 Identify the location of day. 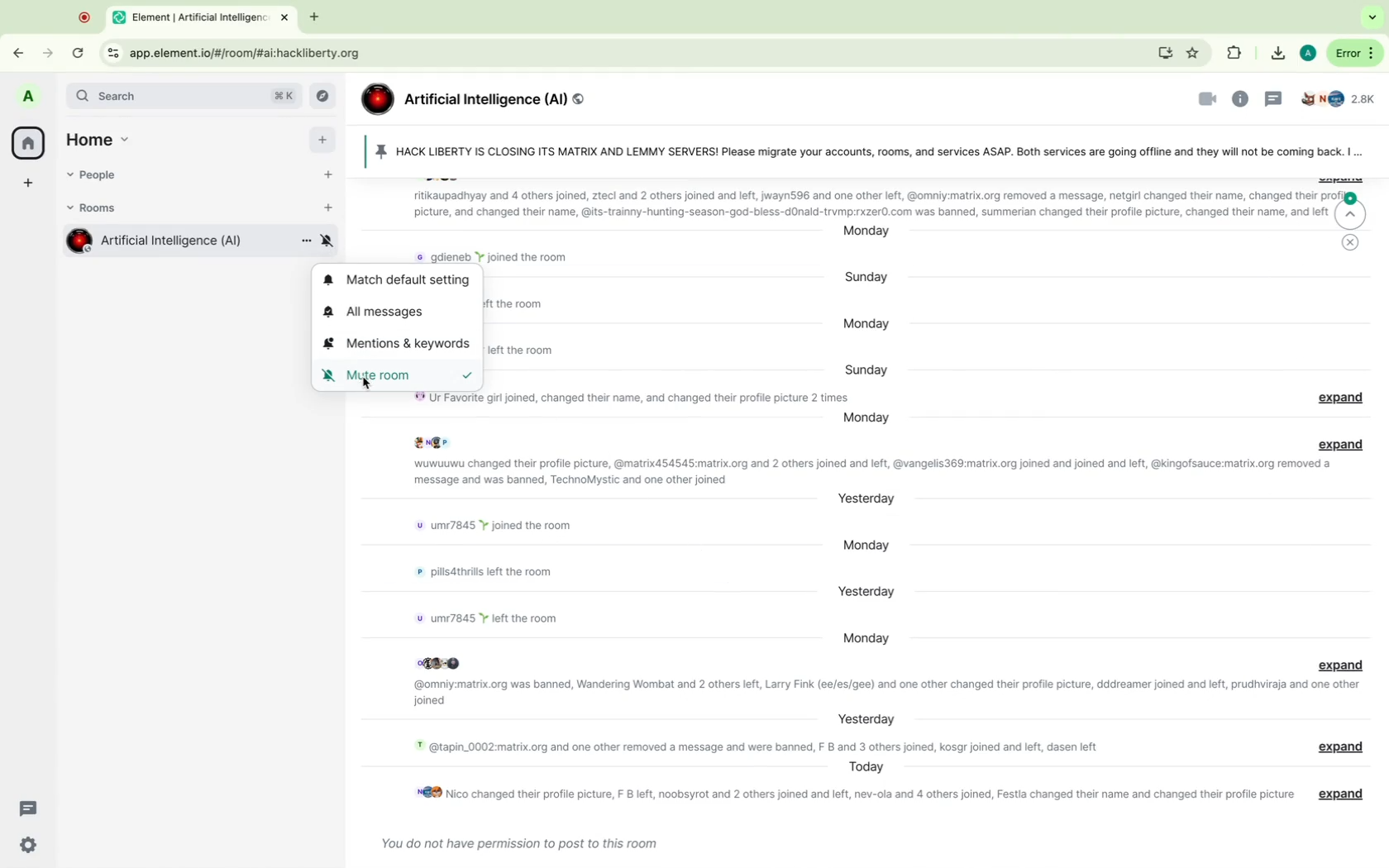
(862, 768).